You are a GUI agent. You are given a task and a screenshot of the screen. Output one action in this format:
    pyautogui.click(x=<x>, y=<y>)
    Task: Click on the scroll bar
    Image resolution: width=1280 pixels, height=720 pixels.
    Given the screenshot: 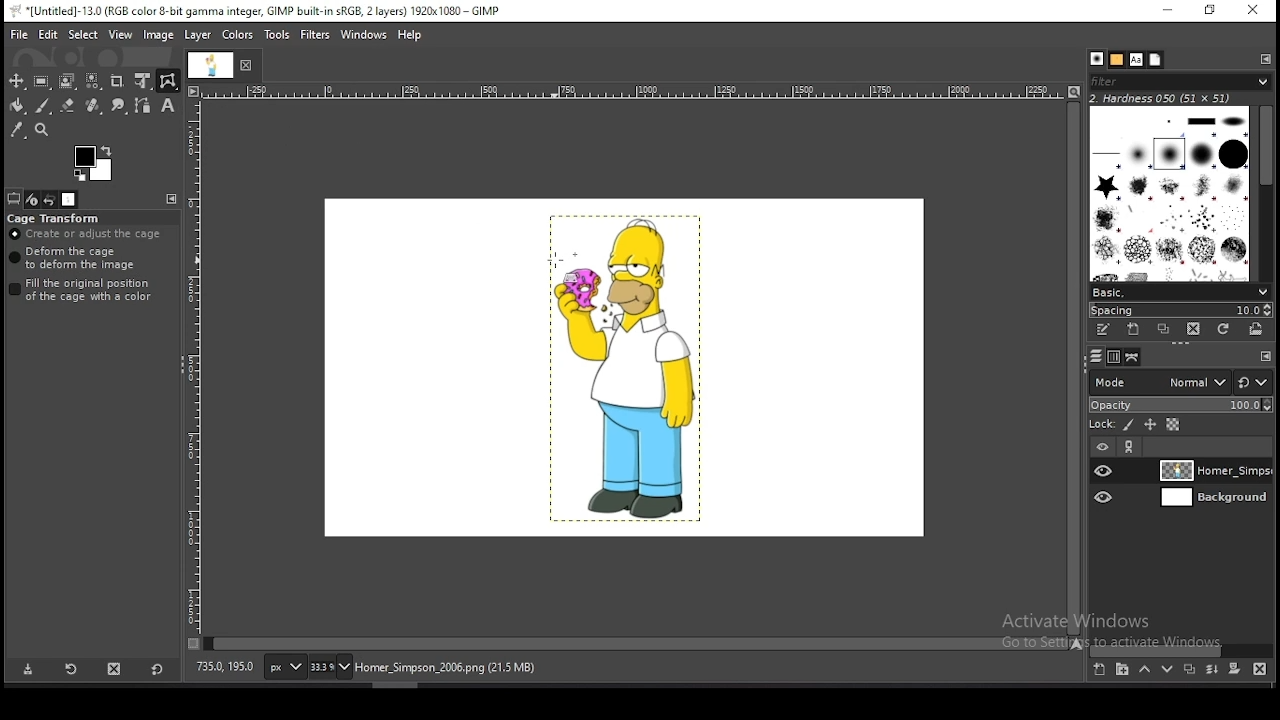 What is the action you would take?
    pyautogui.click(x=636, y=642)
    